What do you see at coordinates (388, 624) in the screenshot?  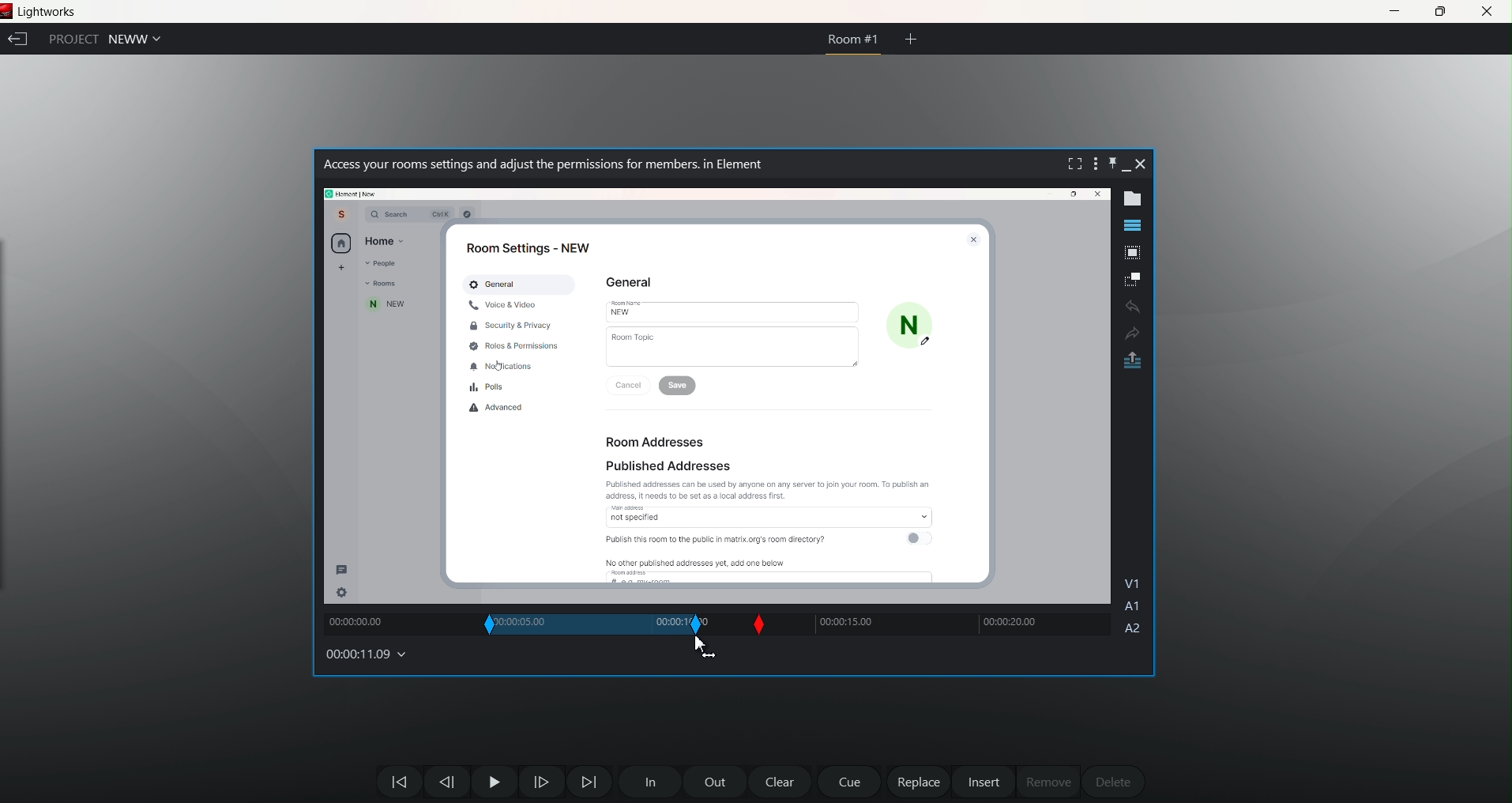 I see `00:00:00:00 (track)` at bounding box center [388, 624].